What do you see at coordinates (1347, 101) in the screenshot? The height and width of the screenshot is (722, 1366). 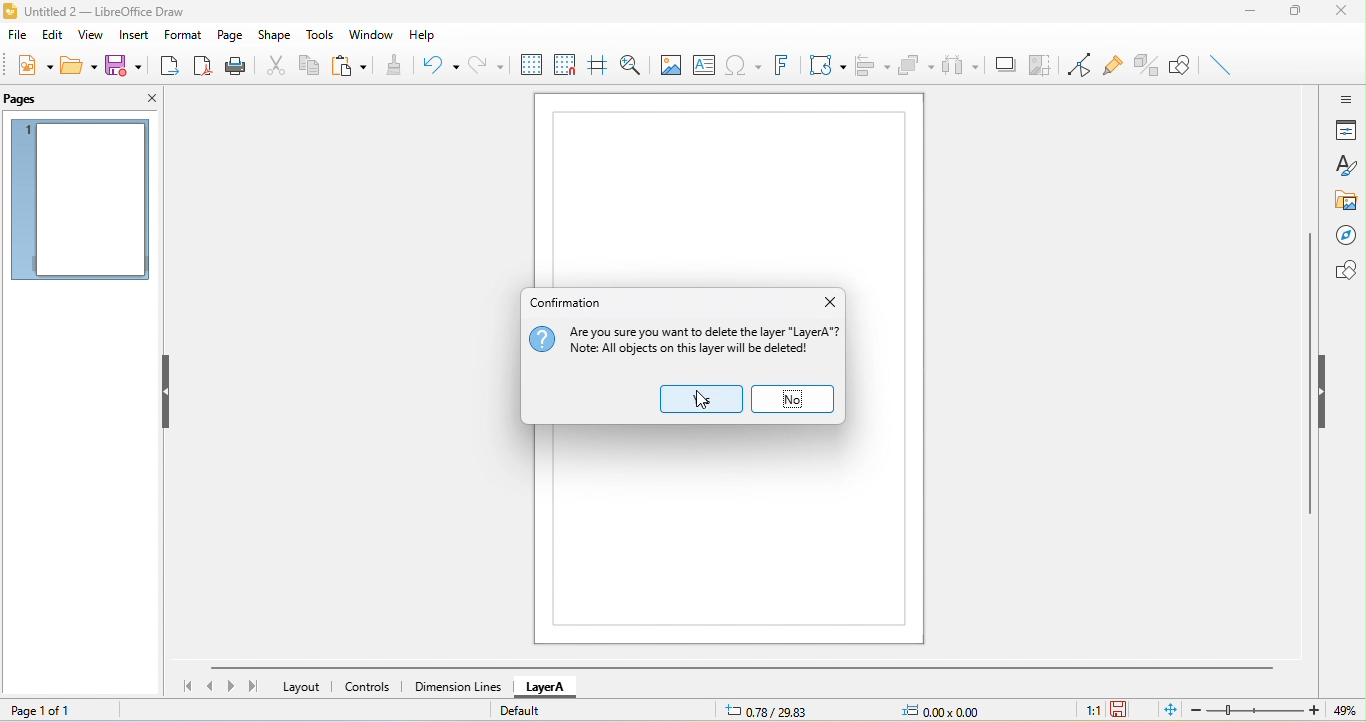 I see `sidebar setting` at bounding box center [1347, 101].